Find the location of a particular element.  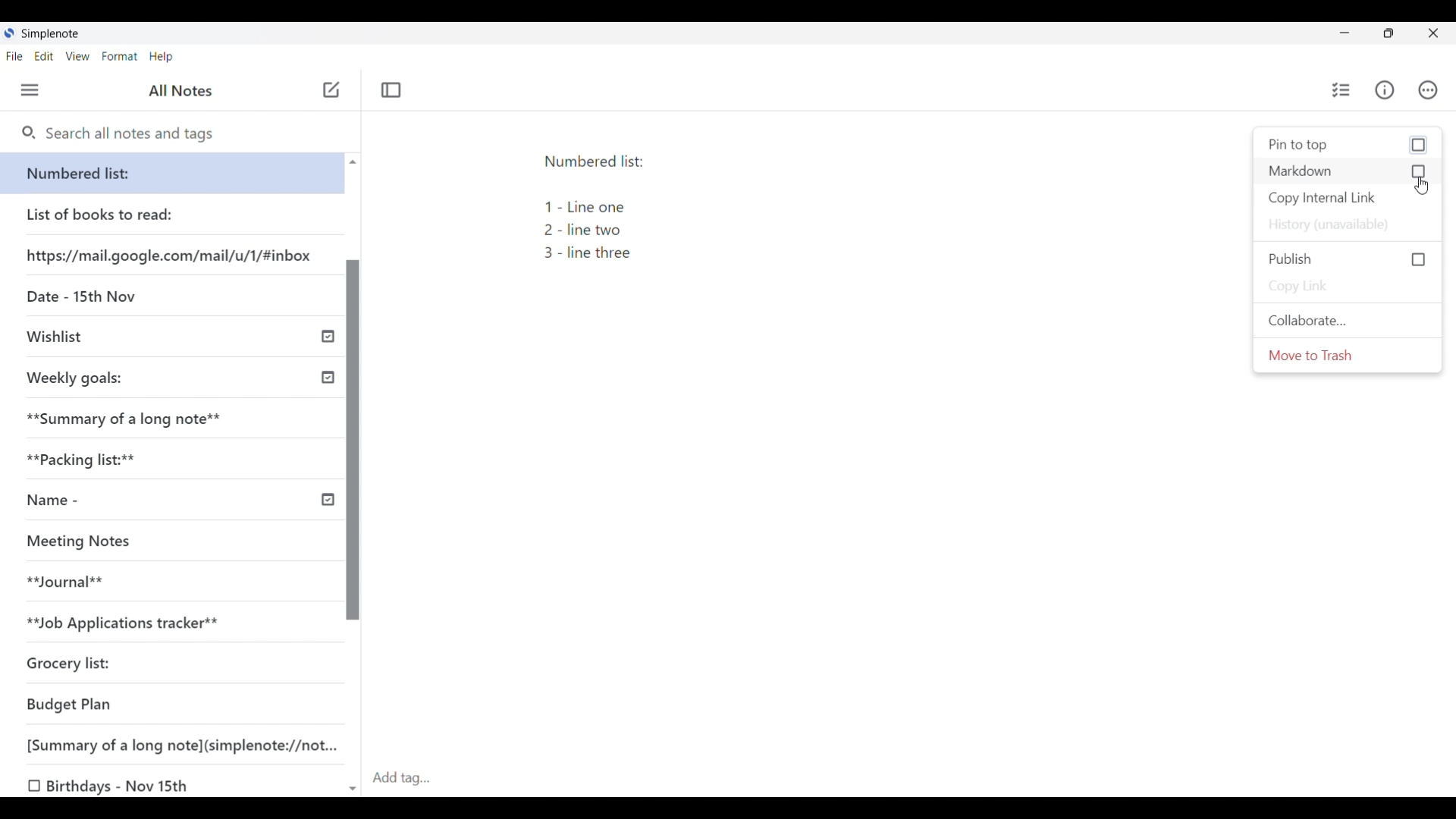

Birthdays - Nov 15th is located at coordinates (124, 784).